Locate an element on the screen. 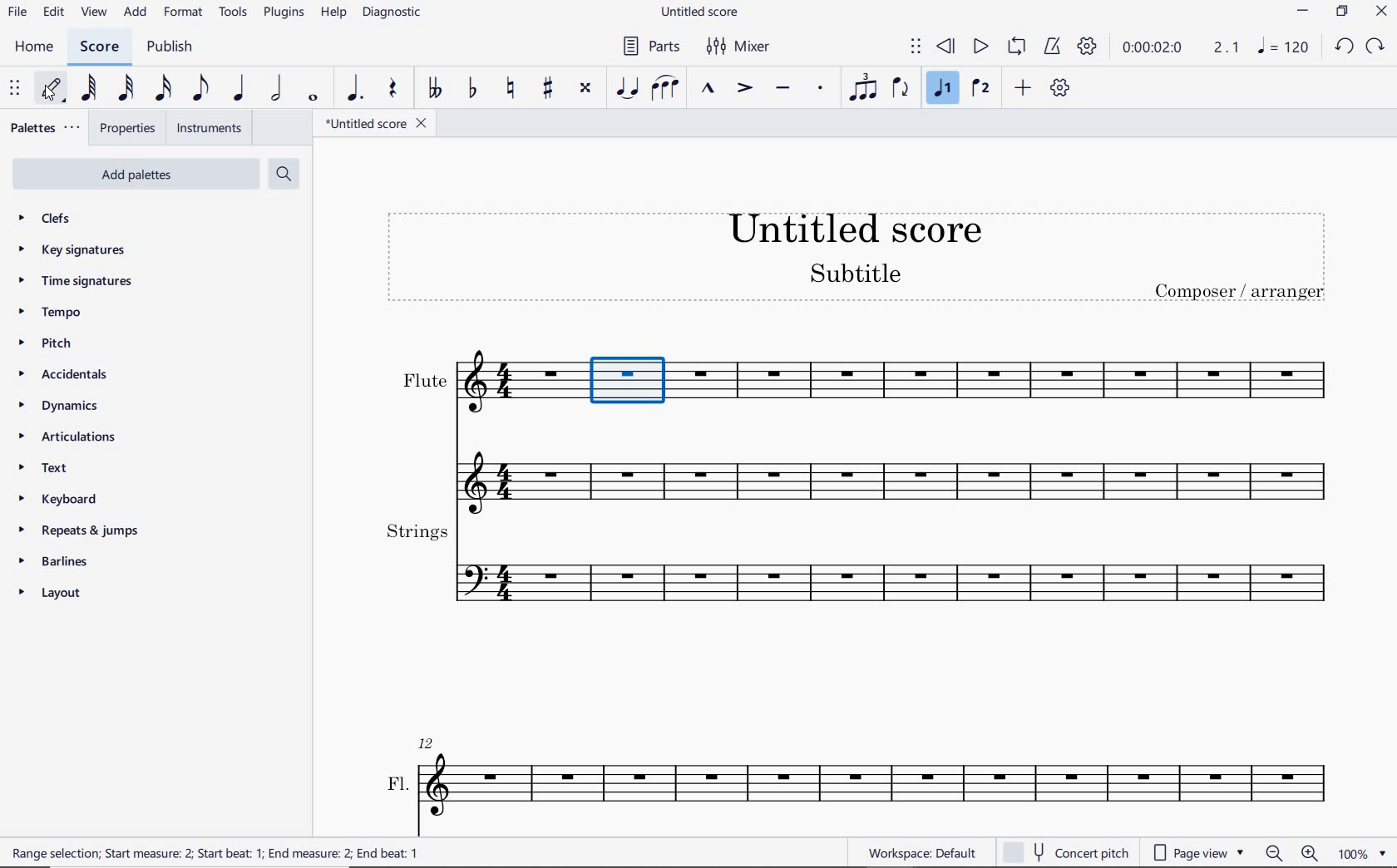 The image size is (1397, 868). view is located at coordinates (91, 13).